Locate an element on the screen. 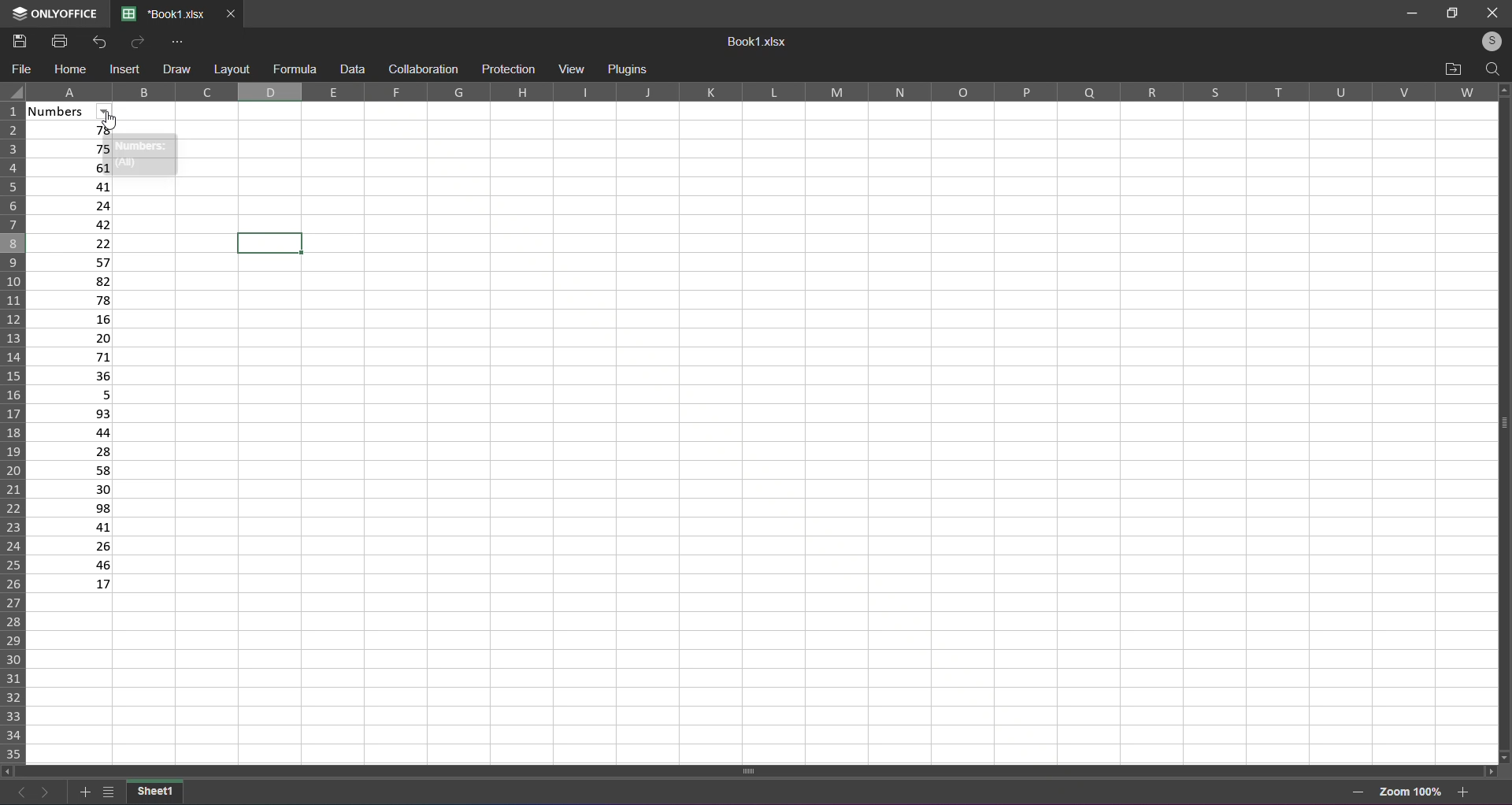  *Book1.xlsx is located at coordinates (164, 15).